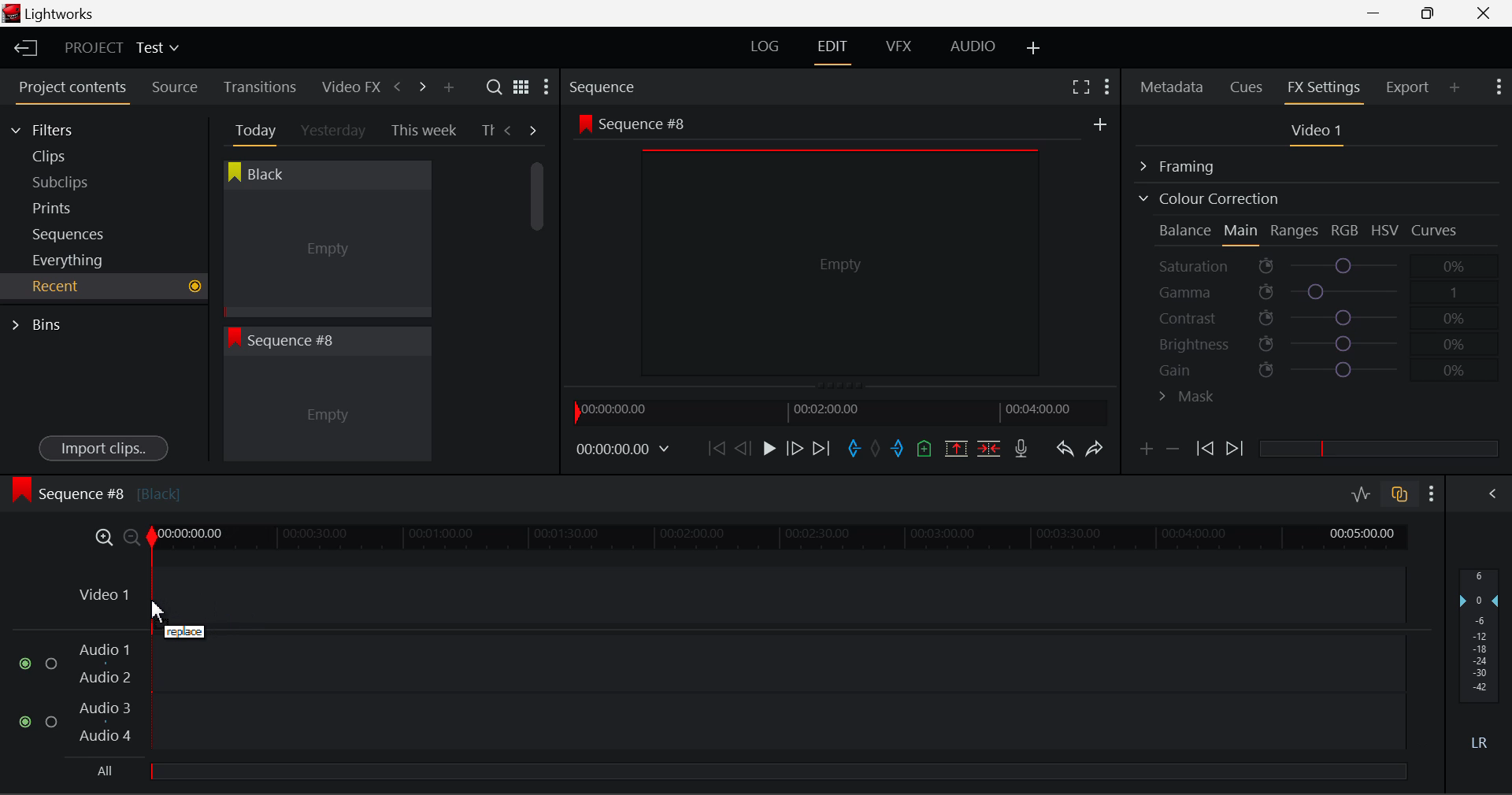  What do you see at coordinates (1332, 367) in the screenshot?
I see `Gain` at bounding box center [1332, 367].